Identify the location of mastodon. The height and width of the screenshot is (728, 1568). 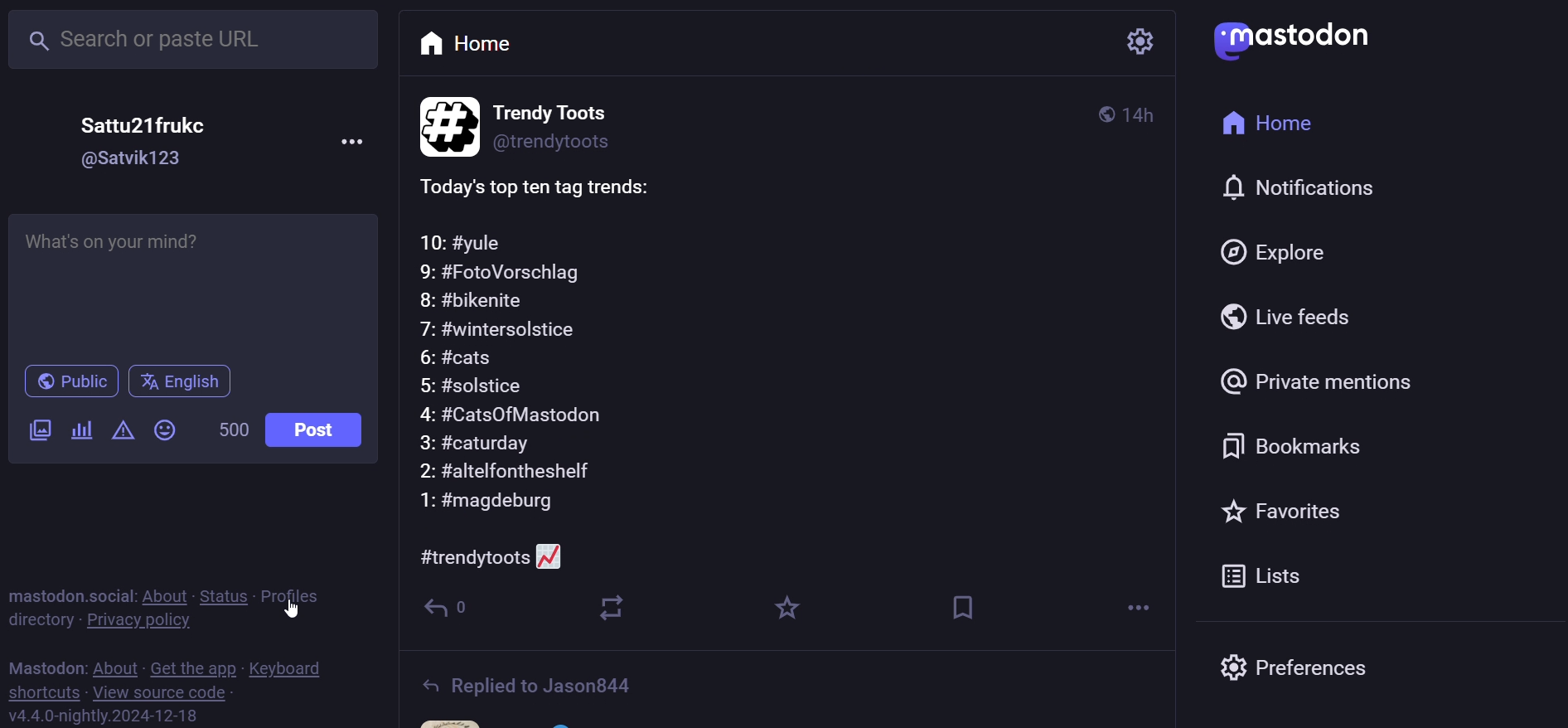
(45, 668).